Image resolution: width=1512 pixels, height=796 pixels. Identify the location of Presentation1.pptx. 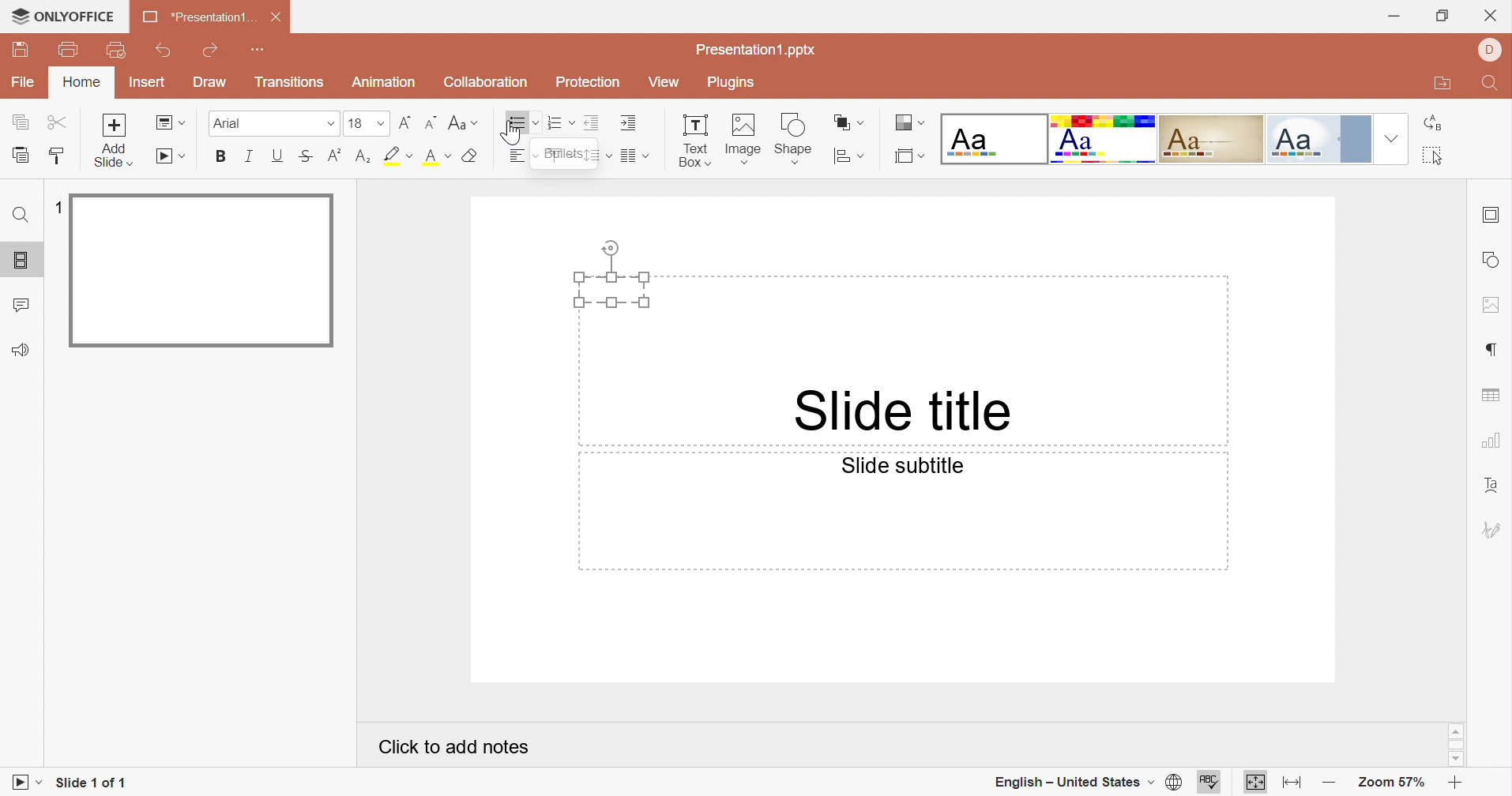
(762, 50).